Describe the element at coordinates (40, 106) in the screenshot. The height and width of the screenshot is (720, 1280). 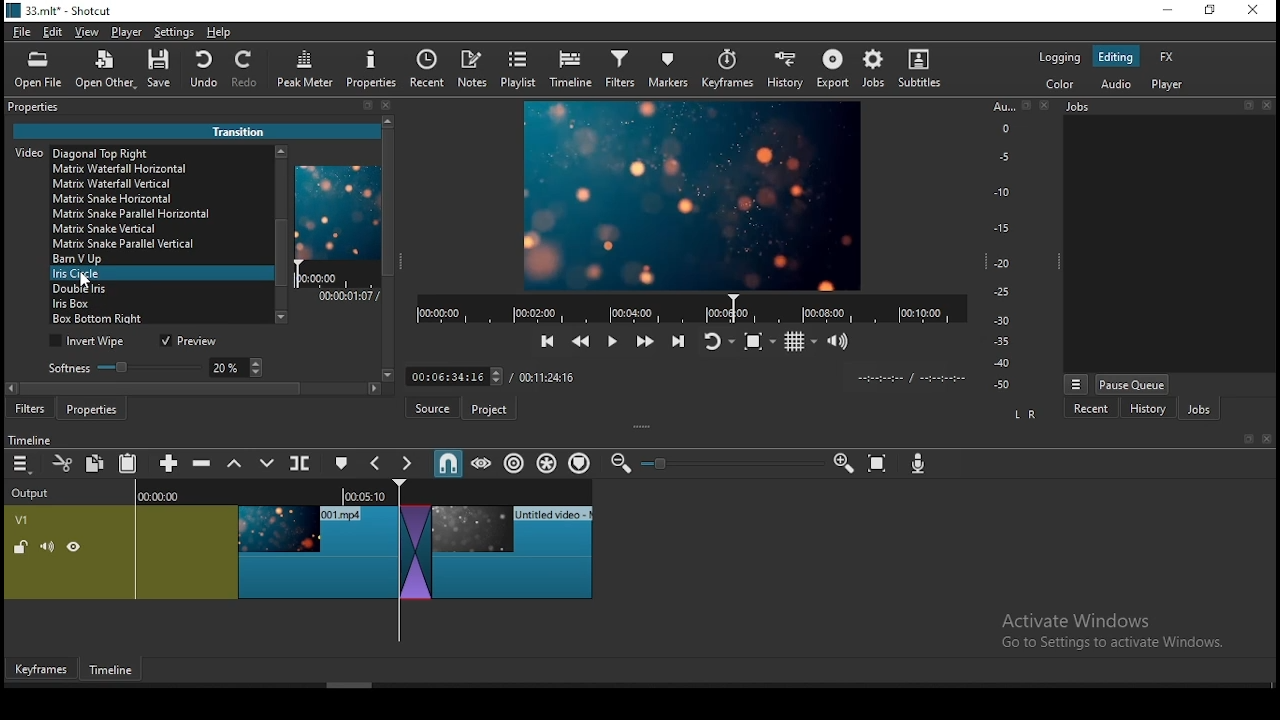
I see `properties` at that location.